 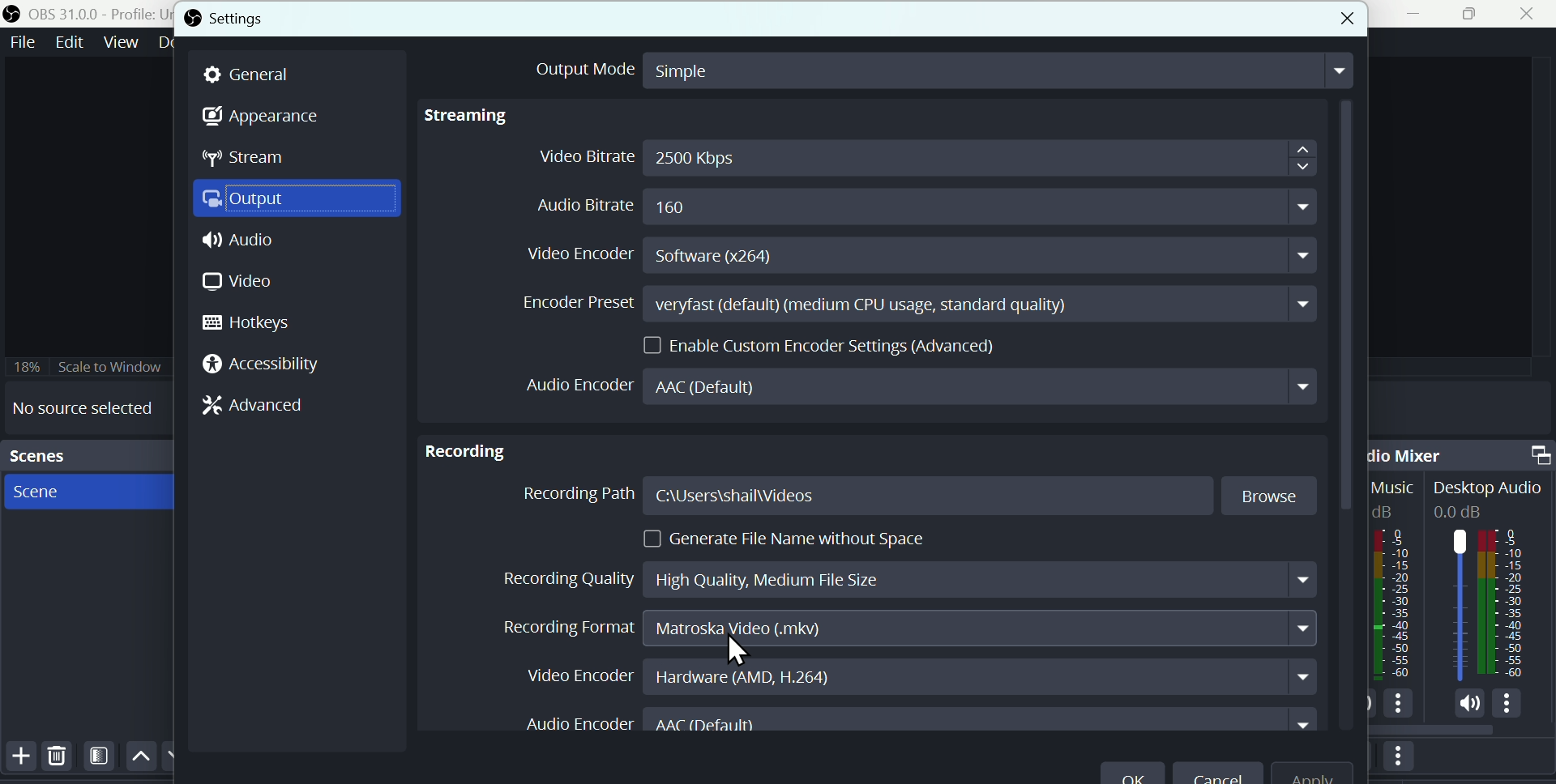 I want to click on Audio encoder, so click(x=924, y=386).